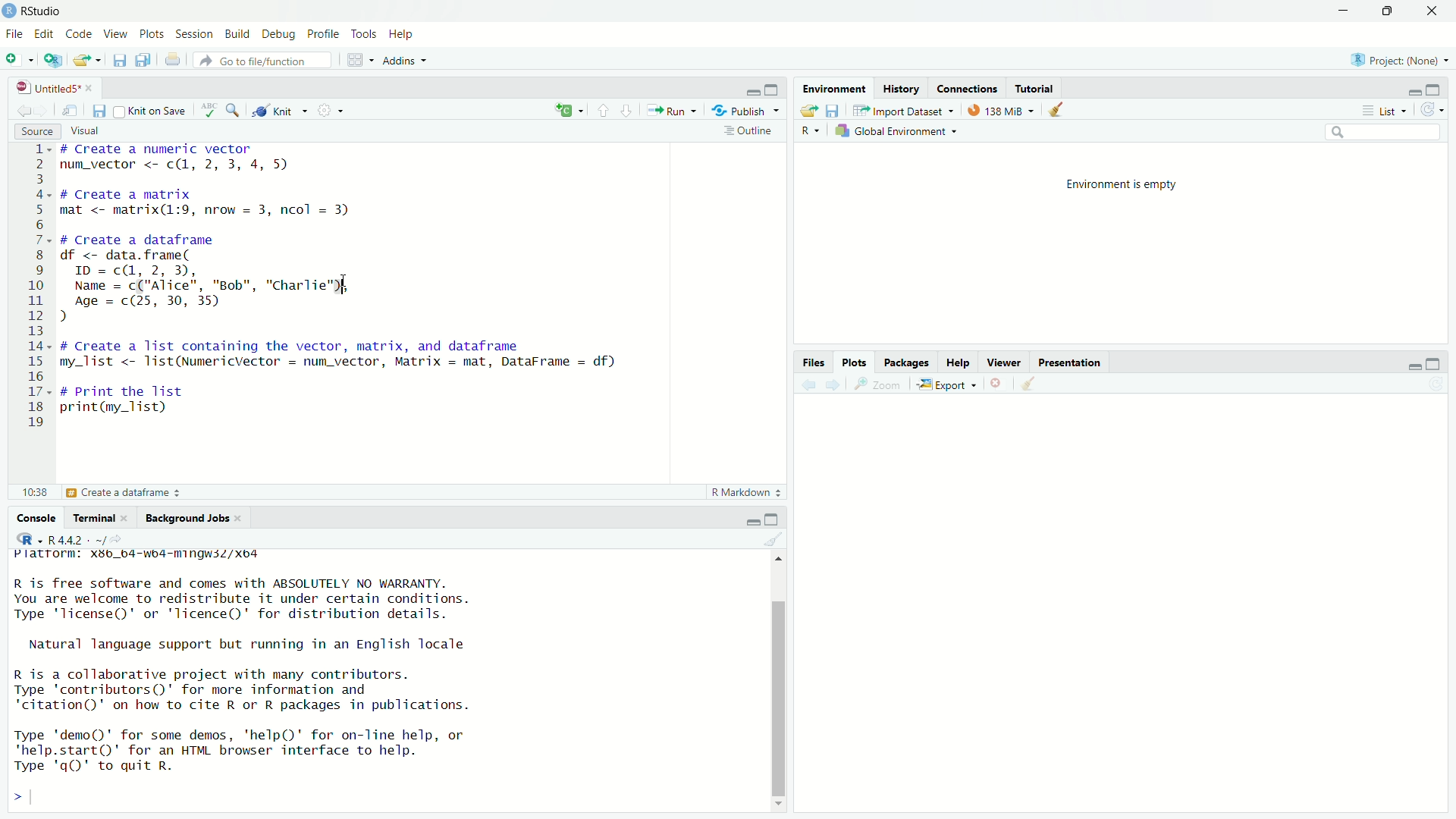  I want to click on Console, so click(39, 517).